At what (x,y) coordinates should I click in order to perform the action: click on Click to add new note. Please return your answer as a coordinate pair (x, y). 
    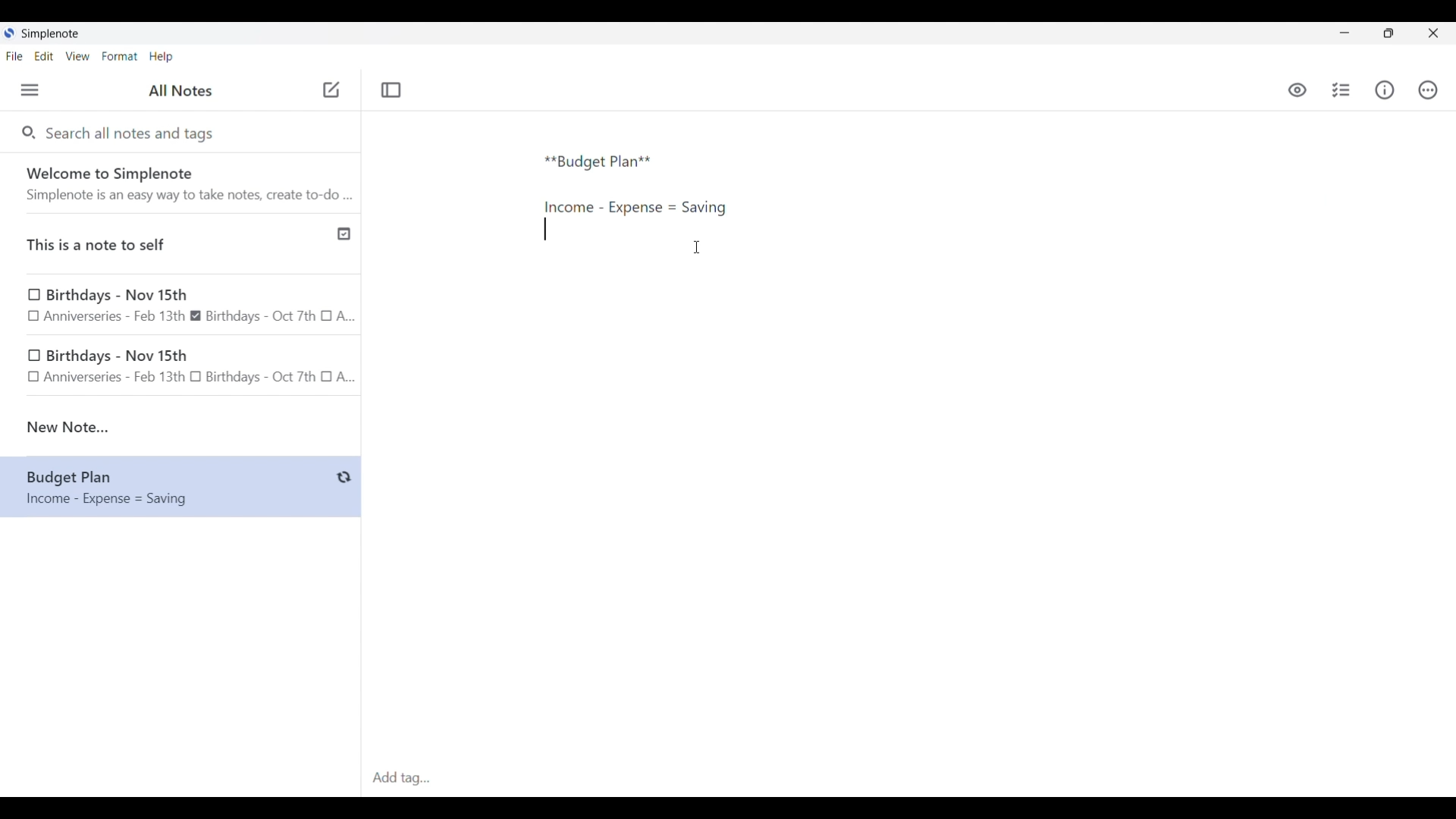
    Looking at the image, I should click on (331, 89).